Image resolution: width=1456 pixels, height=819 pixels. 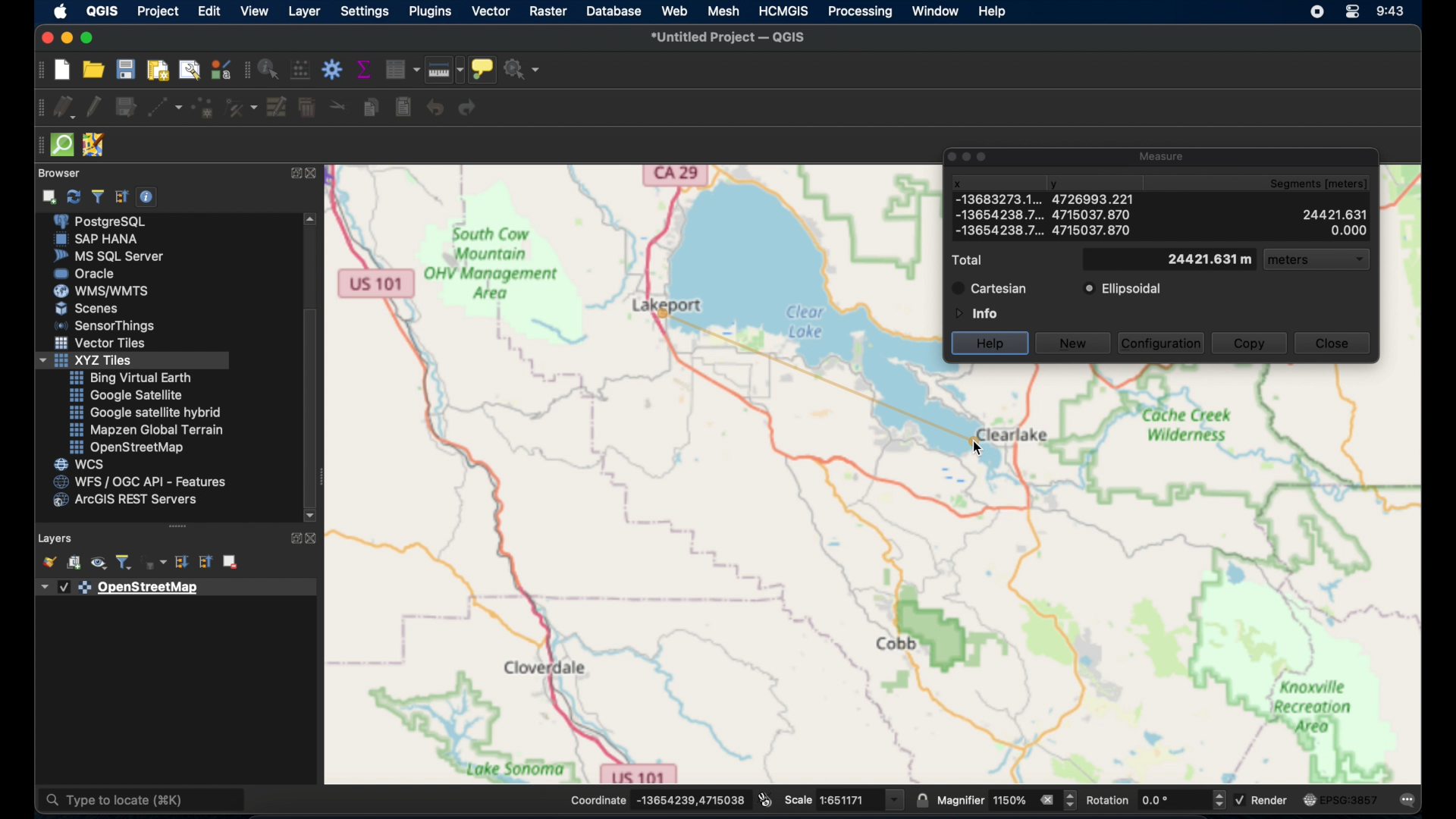 What do you see at coordinates (253, 11) in the screenshot?
I see `view` at bounding box center [253, 11].